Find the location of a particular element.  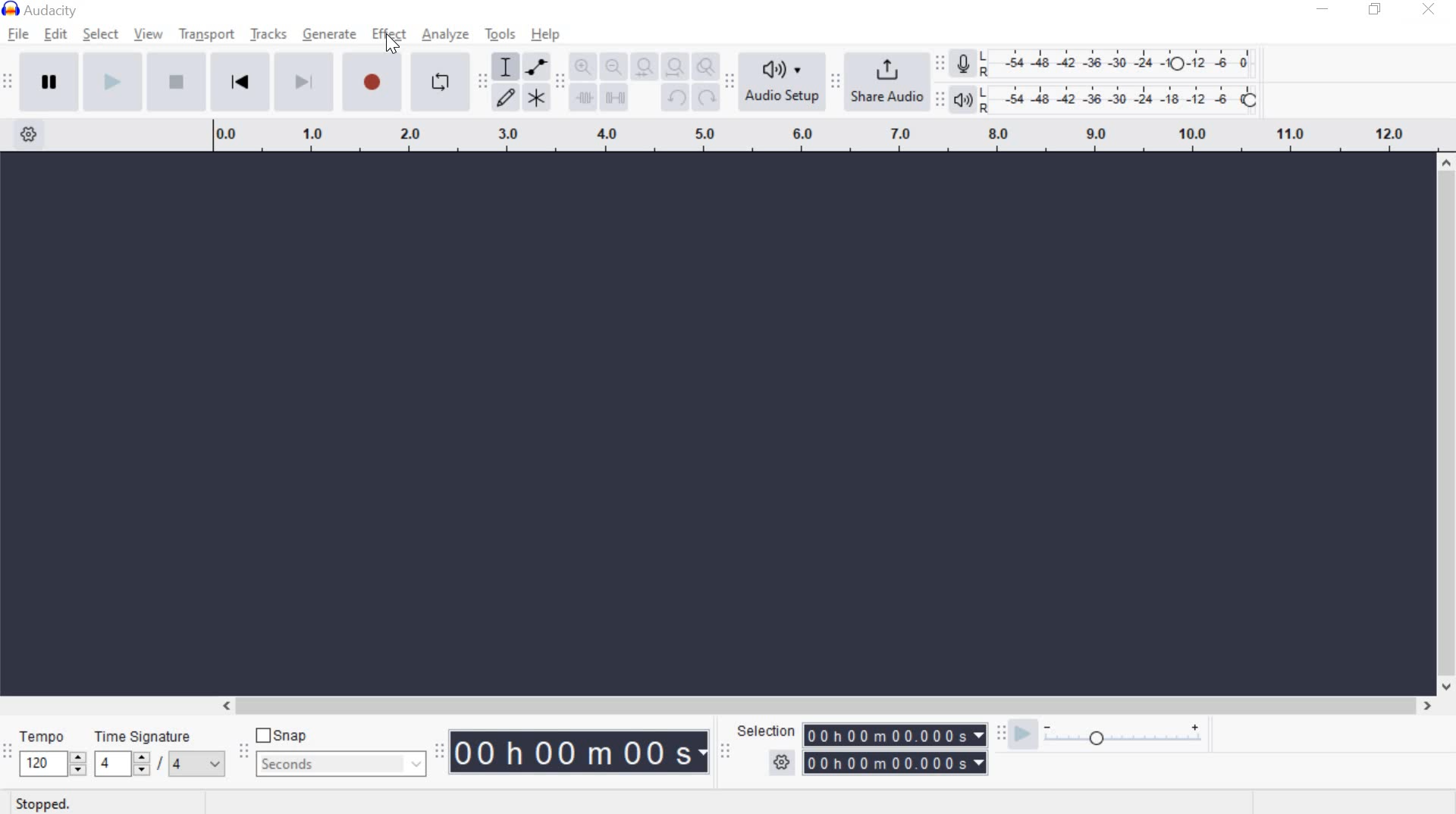

Zoom Out is located at coordinates (614, 66).